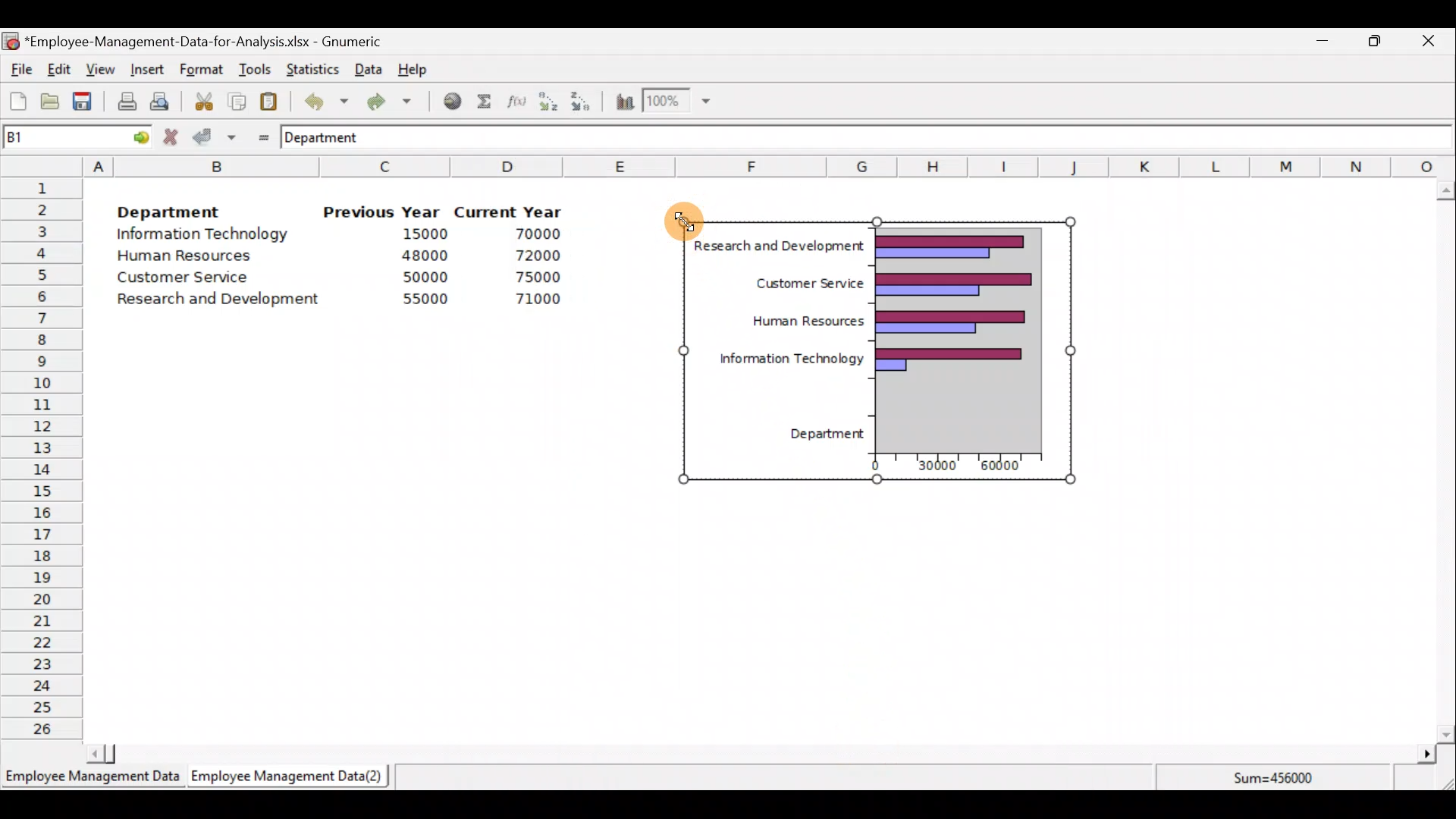 Image resolution: width=1456 pixels, height=819 pixels. What do you see at coordinates (781, 359) in the screenshot?
I see `Information Technology` at bounding box center [781, 359].